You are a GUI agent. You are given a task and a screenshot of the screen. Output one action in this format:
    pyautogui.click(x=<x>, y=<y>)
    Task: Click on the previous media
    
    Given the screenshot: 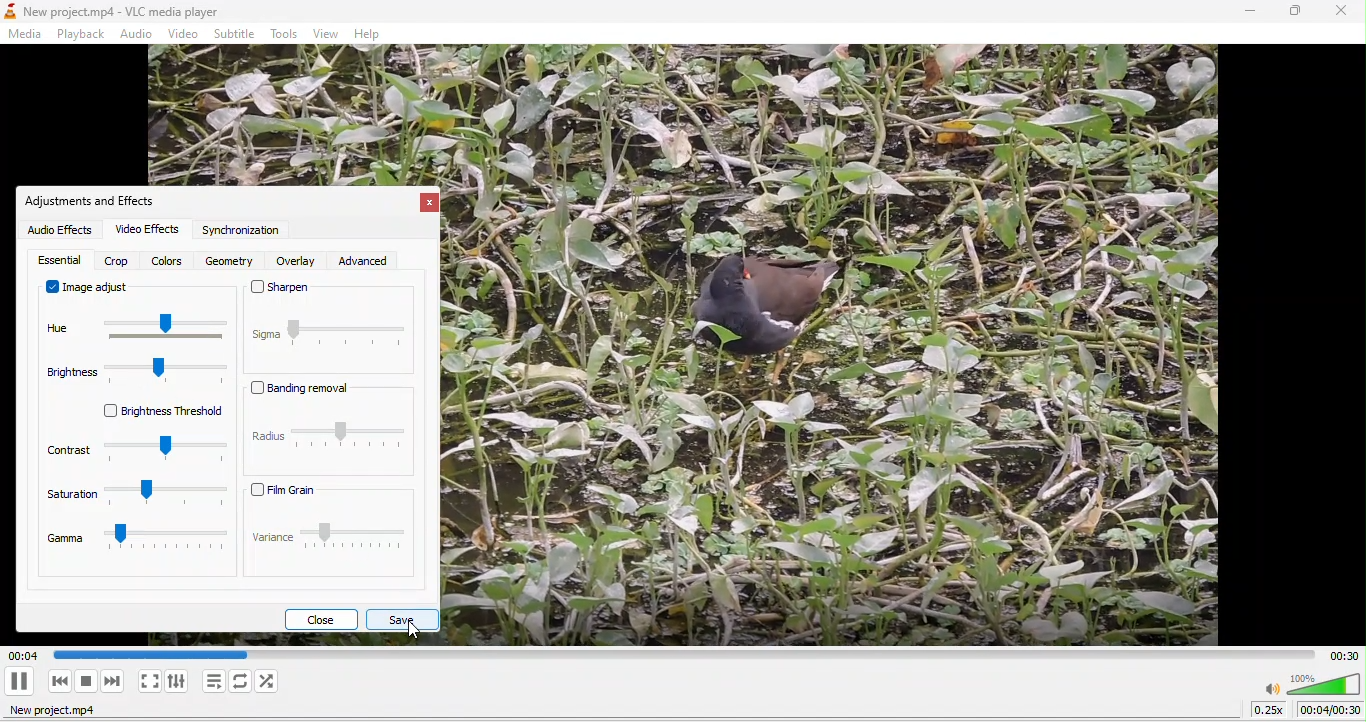 What is the action you would take?
    pyautogui.click(x=59, y=681)
    